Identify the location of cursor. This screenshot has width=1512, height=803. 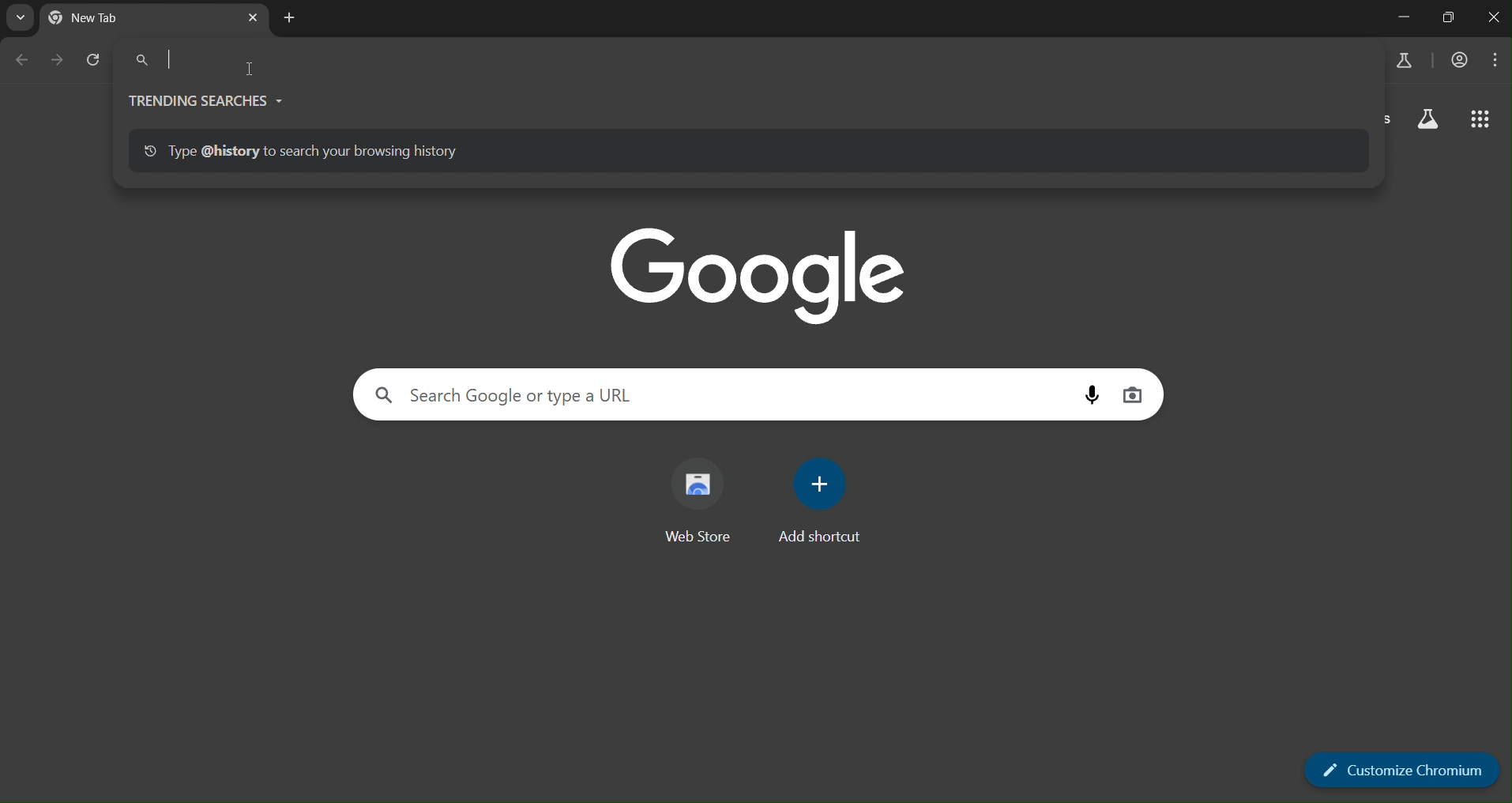
(250, 70).